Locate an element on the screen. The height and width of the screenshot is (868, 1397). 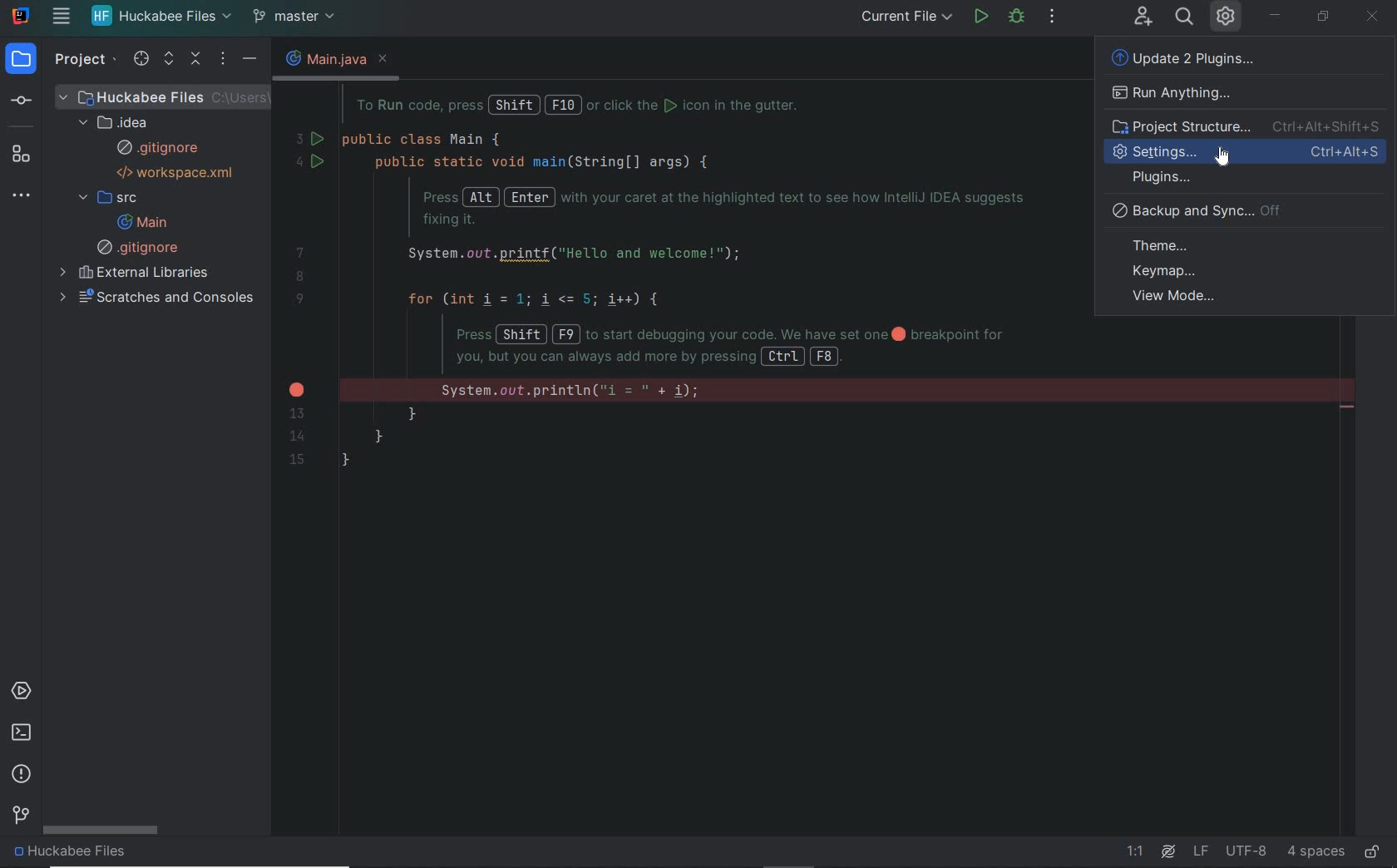
theme is located at coordinates (1252, 243).